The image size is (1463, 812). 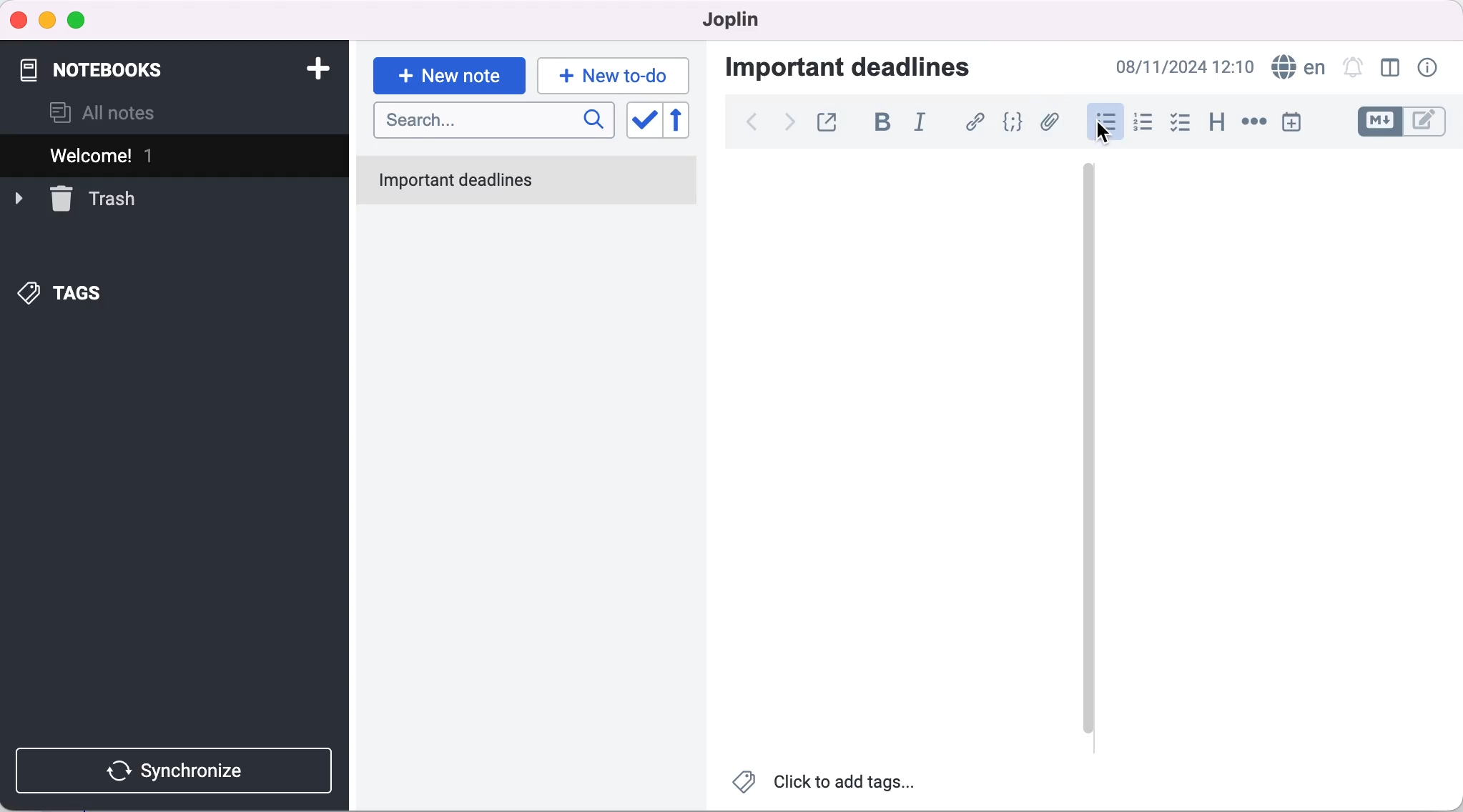 I want to click on toggle editors, so click(x=1407, y=124).